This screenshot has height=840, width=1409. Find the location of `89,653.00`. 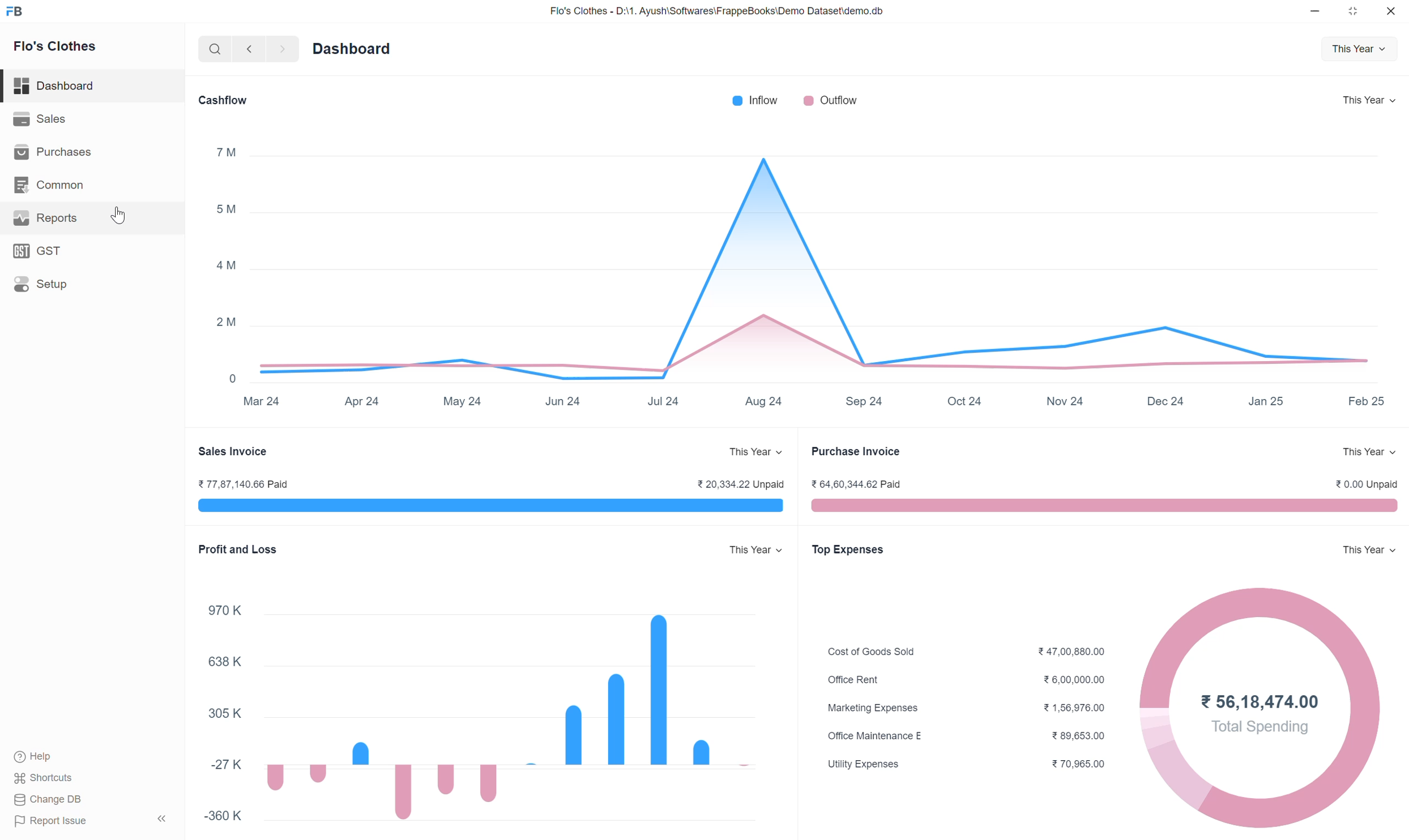

89,653.00 is located at coordinates (1079, 735).